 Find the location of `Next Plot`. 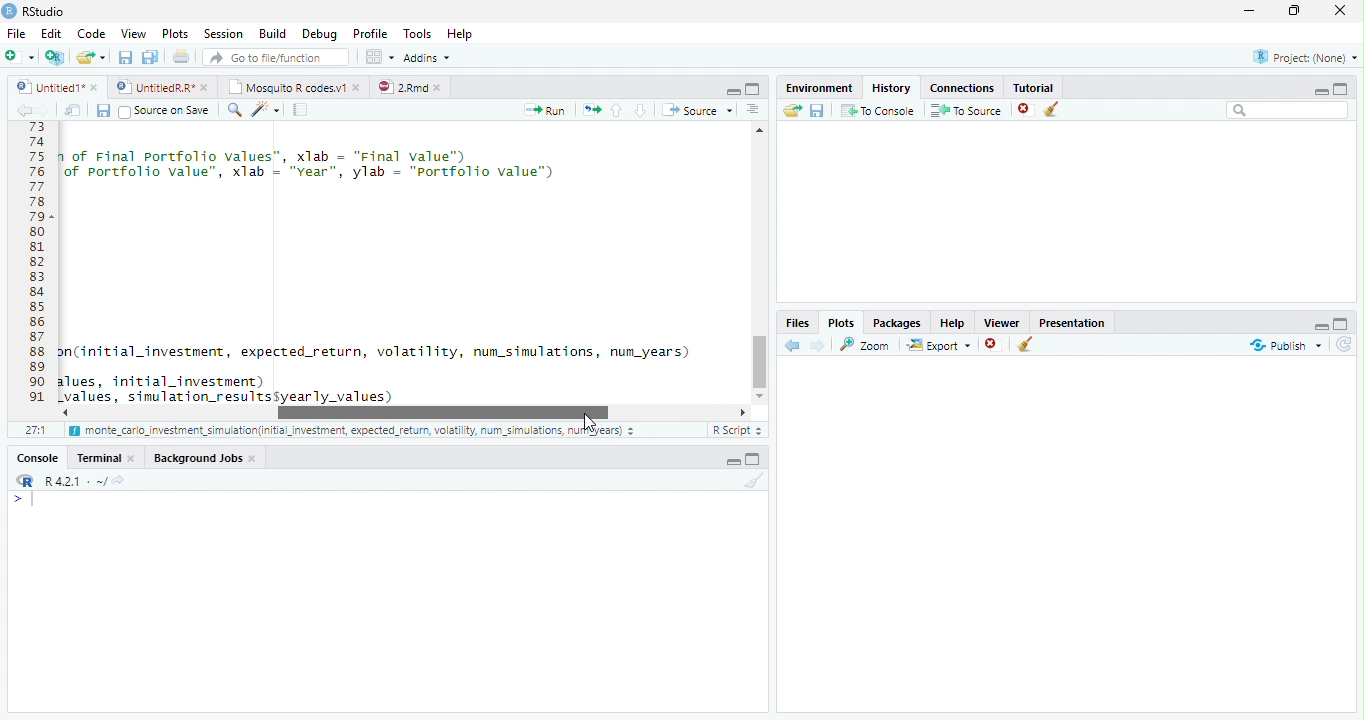

Next Plot is located at coordinates (818, 345).